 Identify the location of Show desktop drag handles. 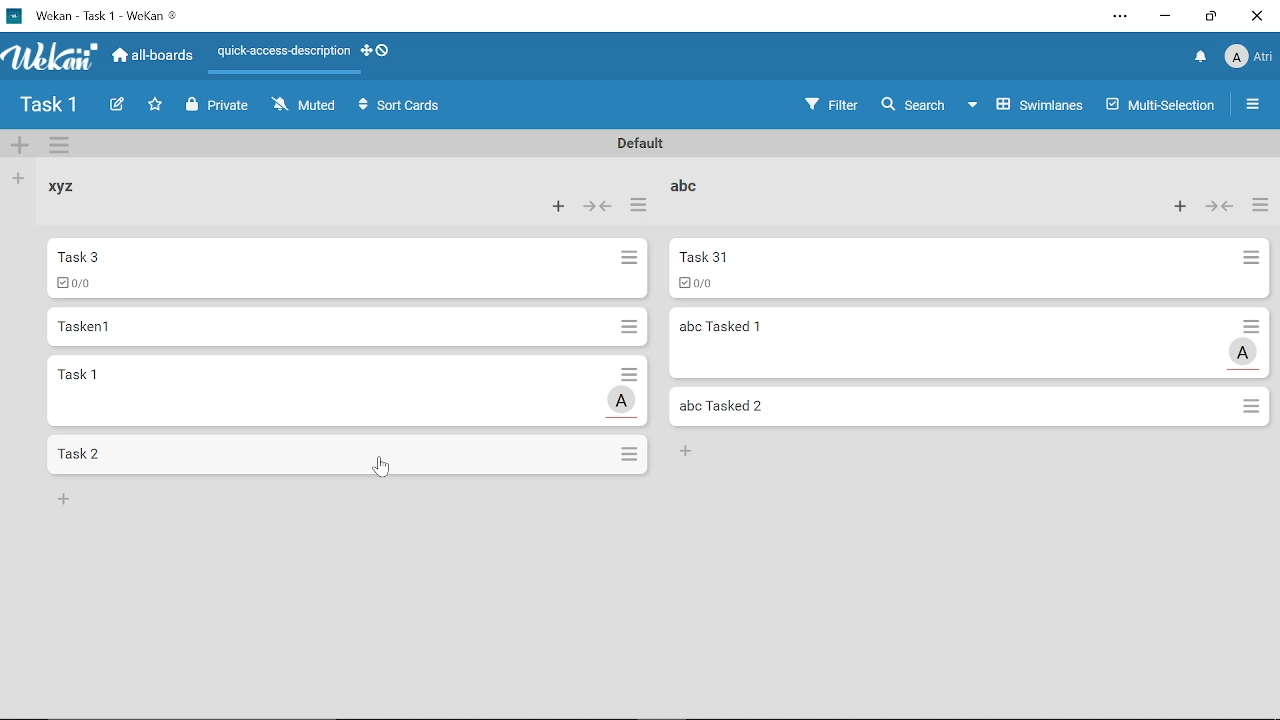
(365, 51).